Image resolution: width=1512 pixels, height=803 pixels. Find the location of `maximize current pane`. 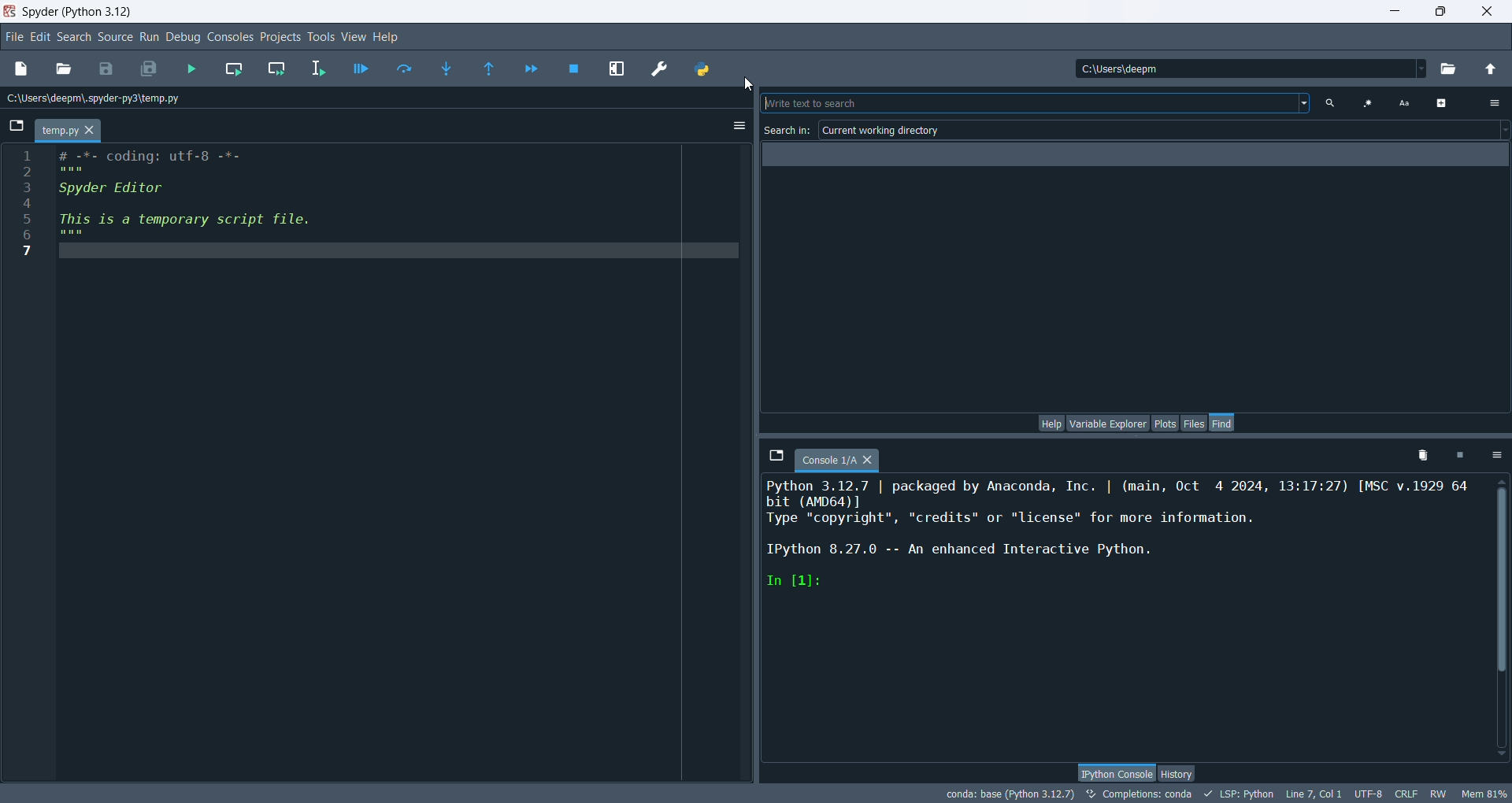

maximize current pane is located at coordinates (616, 69).